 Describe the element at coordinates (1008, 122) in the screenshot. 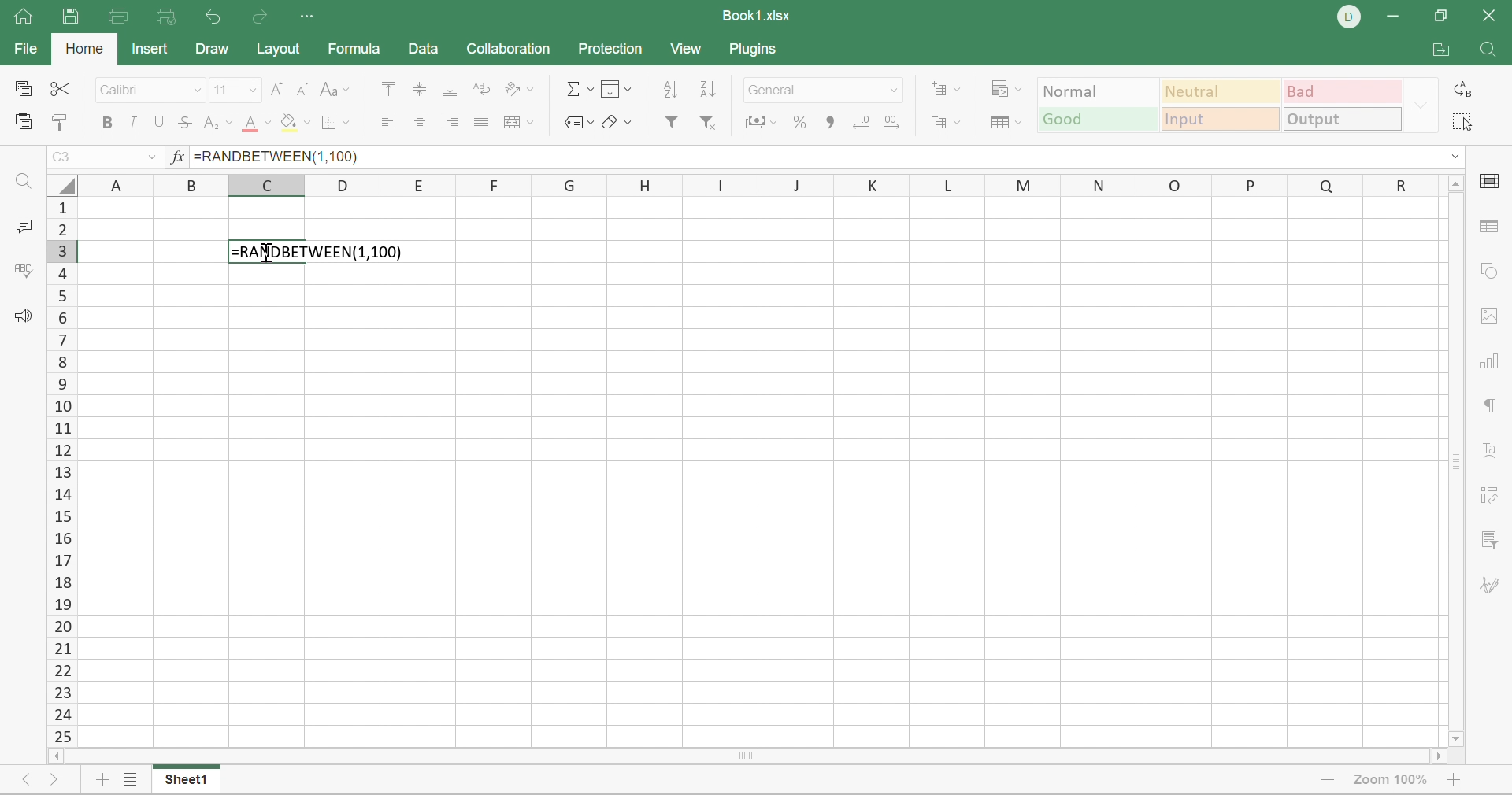

I see `Format table as template` at that location.